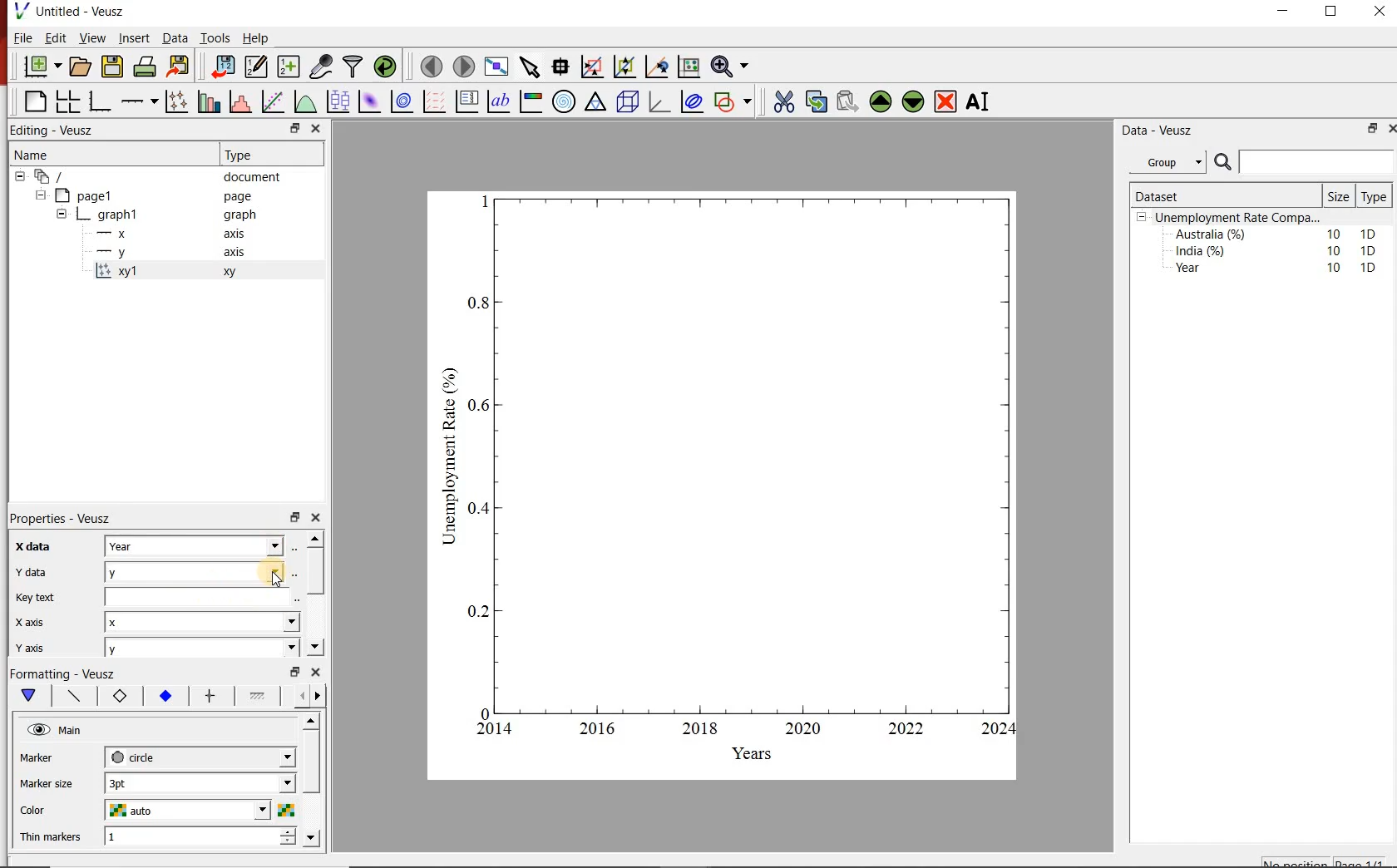 This screenshot has height=868, width=1397. What do you see at coordinates (1287, 15) in the screenshot?
I see `minimise` at bounding box center [1287, 15].